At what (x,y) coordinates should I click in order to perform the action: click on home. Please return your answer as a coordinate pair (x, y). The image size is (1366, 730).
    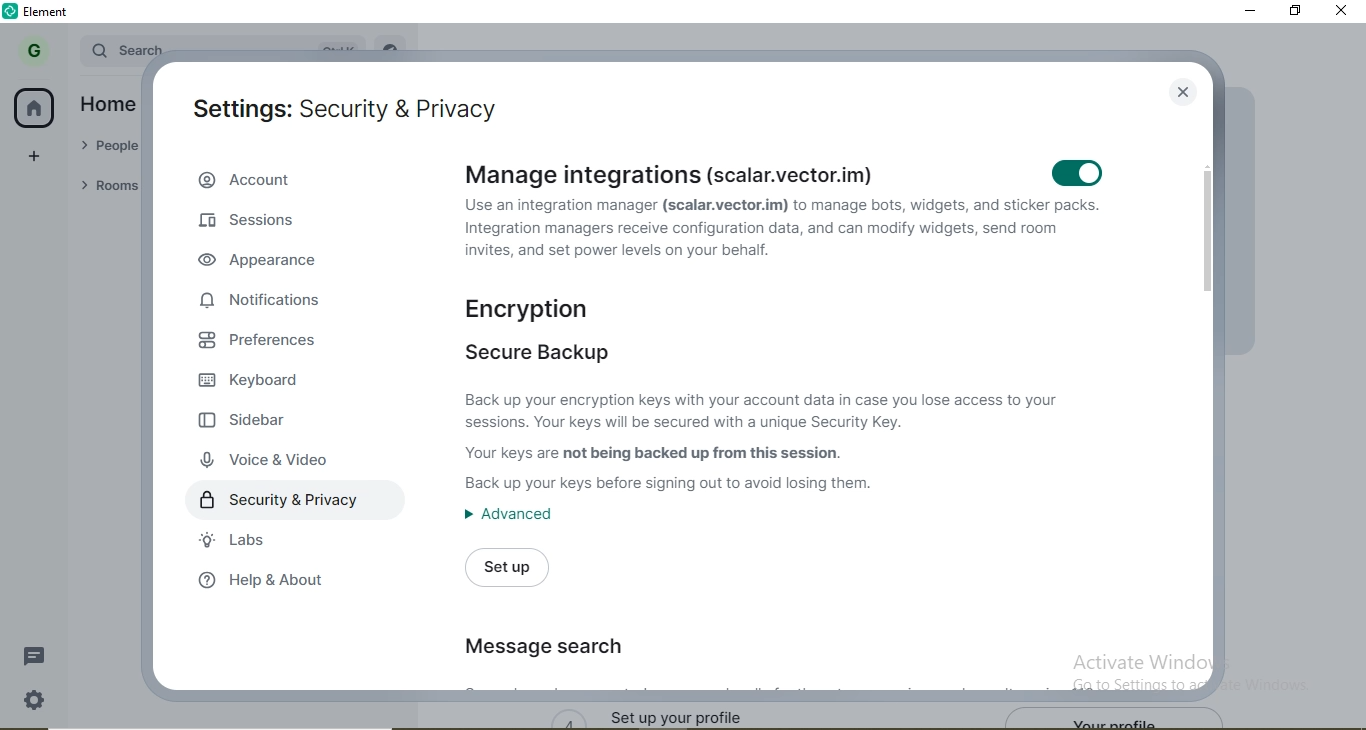
    Looking at the image, I should click on (36, 109).